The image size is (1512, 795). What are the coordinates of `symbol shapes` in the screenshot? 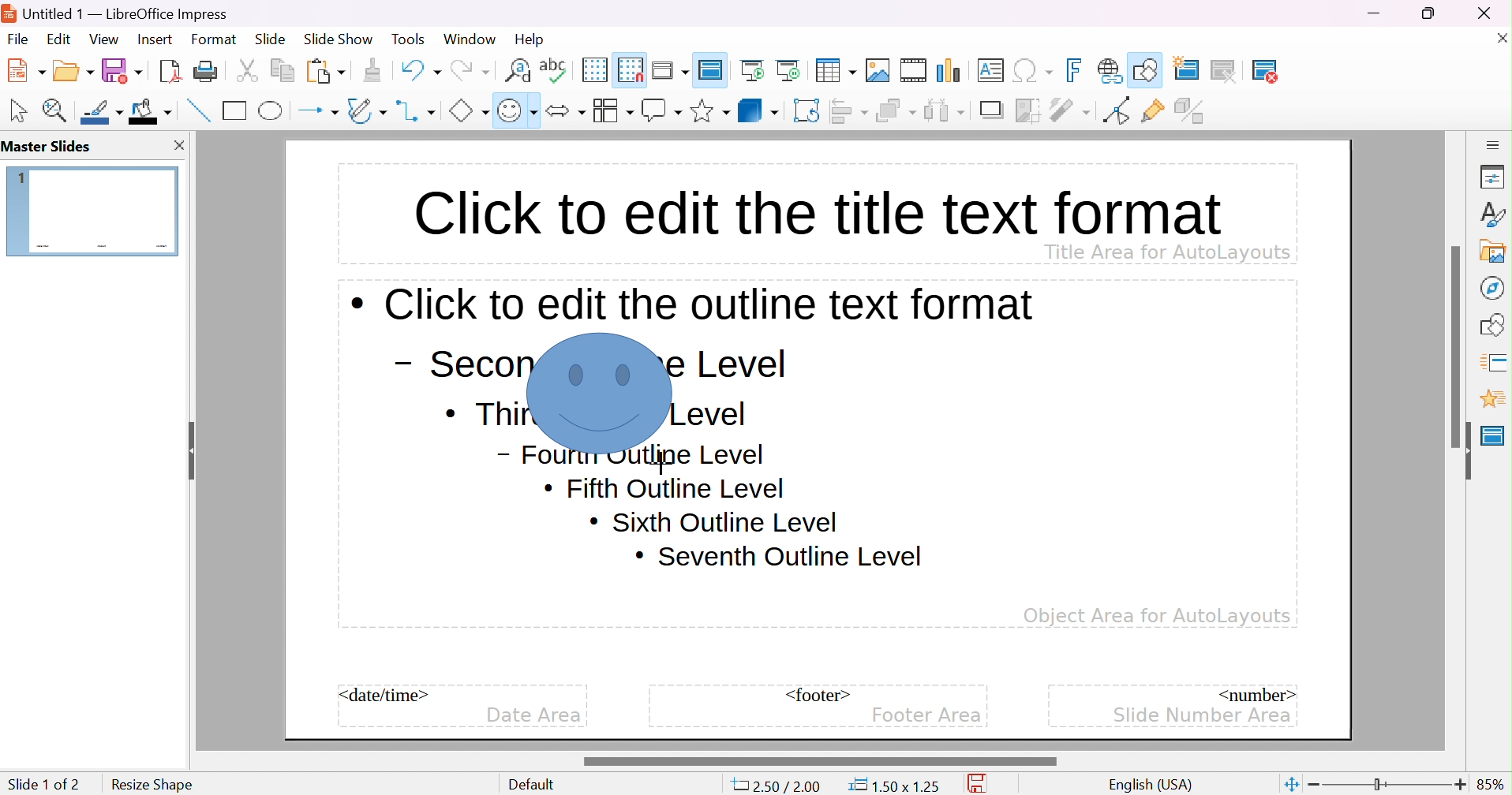 It's located at (517, 110).